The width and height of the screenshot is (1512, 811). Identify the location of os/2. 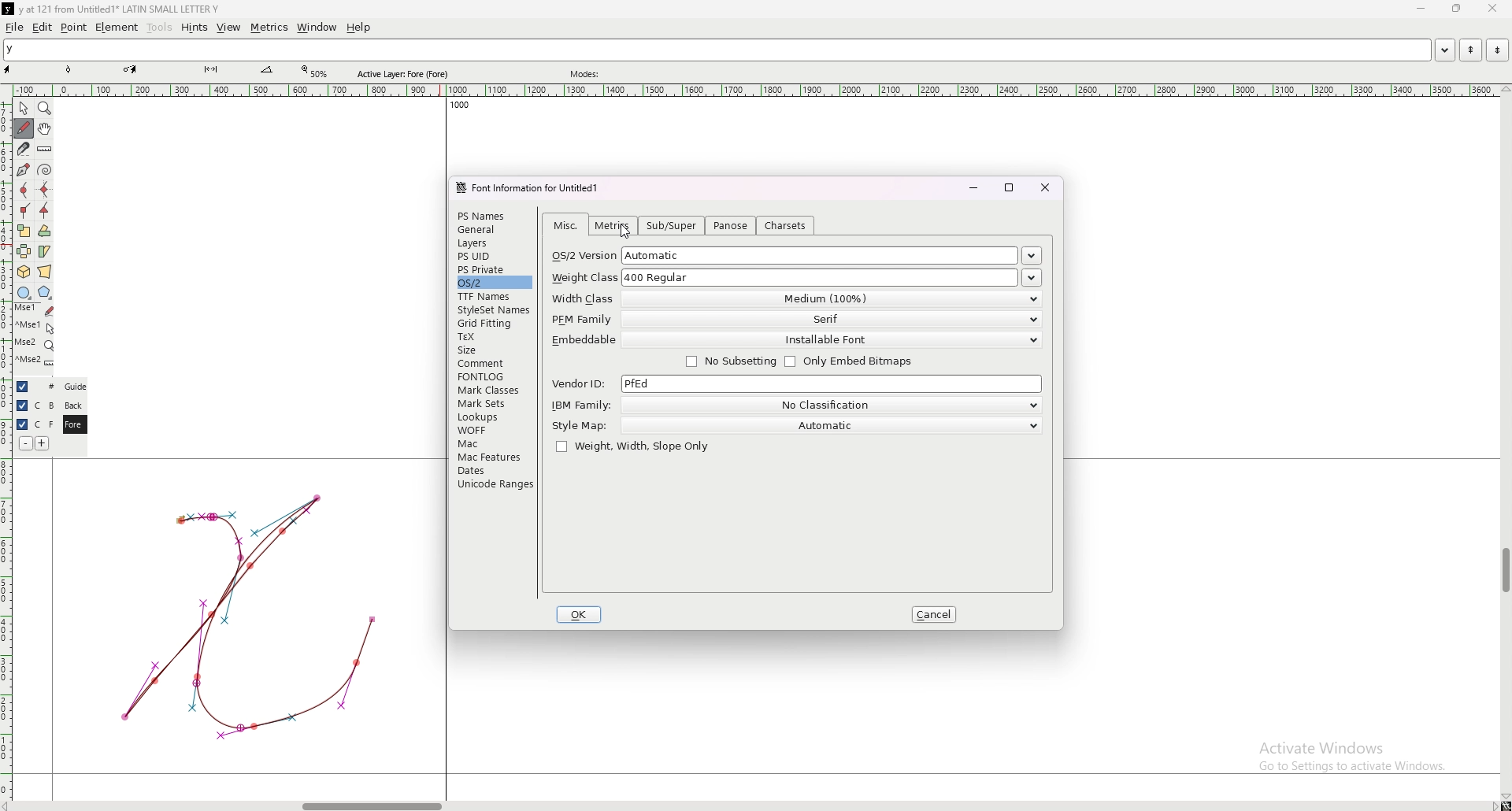
(493, 282).